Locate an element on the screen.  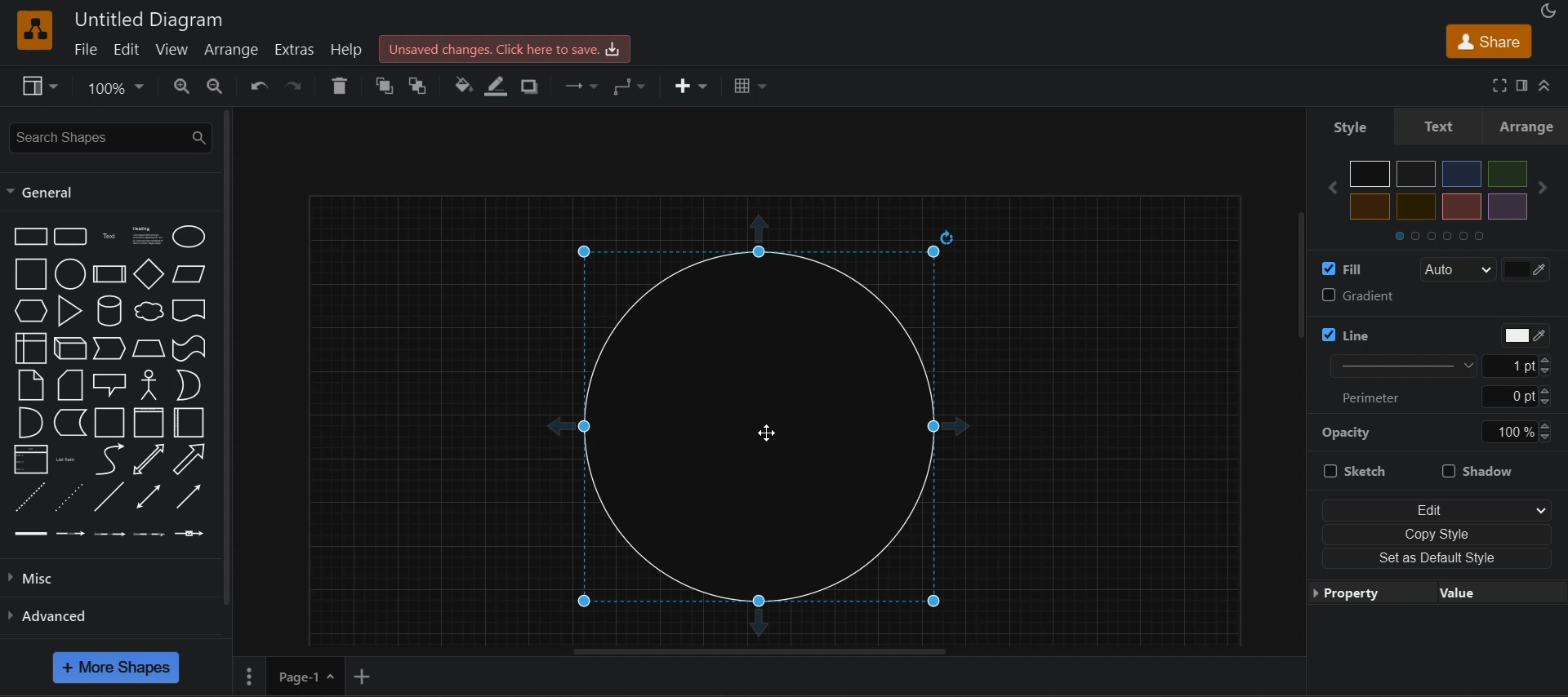
format is located at coordinates (1522, 87).